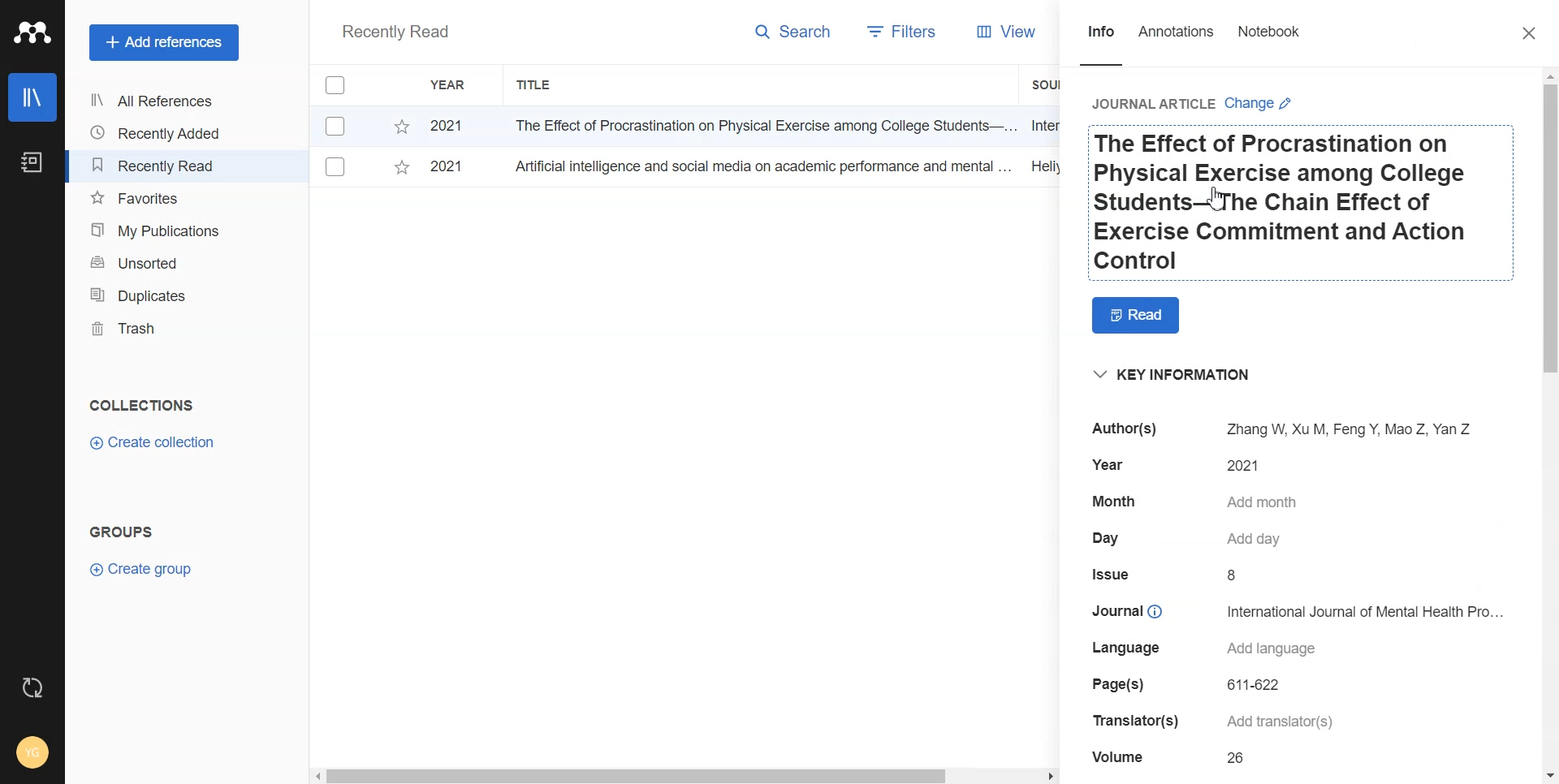 Image resolution: width=1559 pixels, height=784 pixels. Describe the element at coordinates (1200, 653) in the screenshot. I see `Language Add language` at that location.